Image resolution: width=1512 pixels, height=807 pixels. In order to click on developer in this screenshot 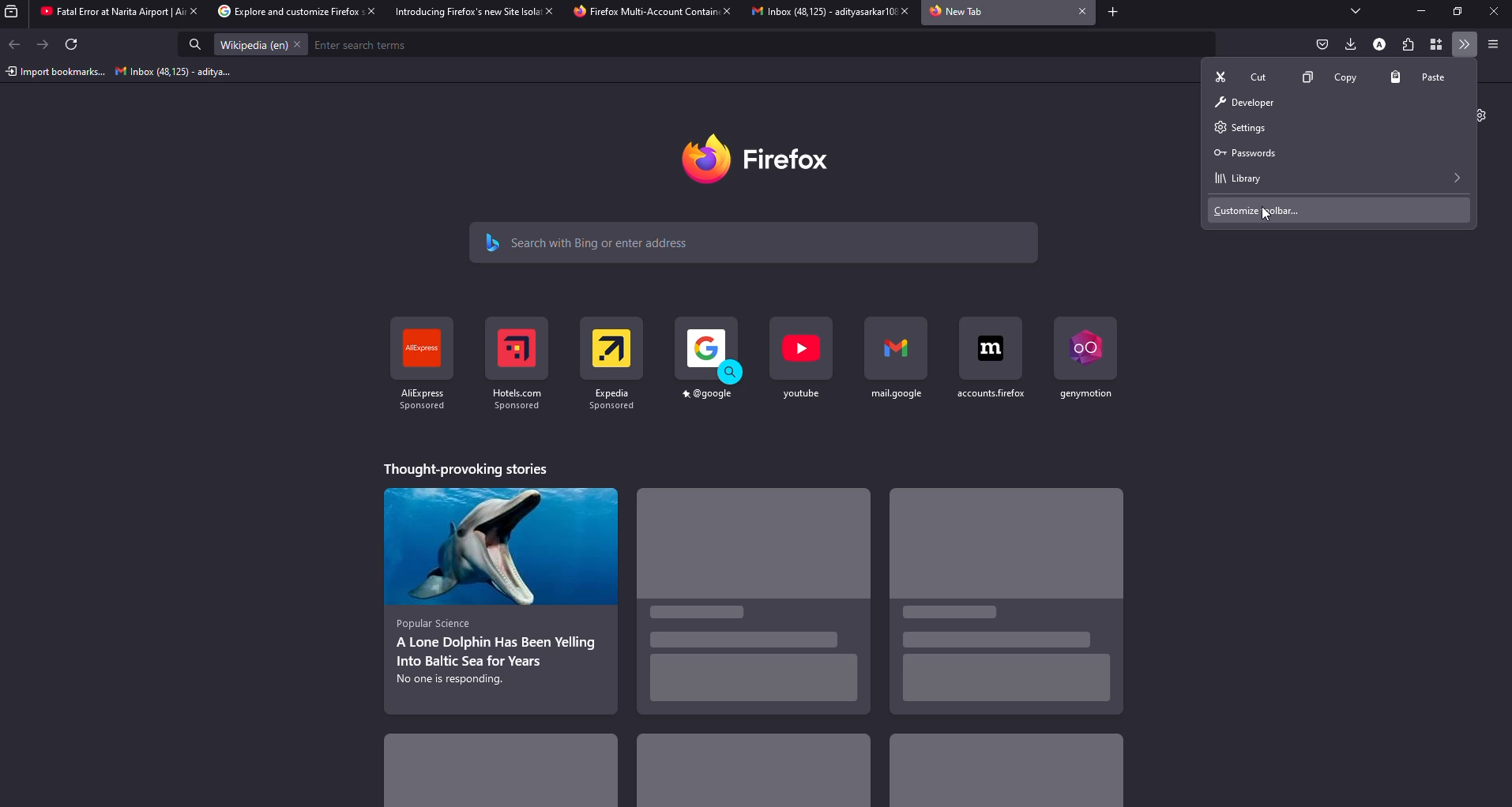, I will do `click(1242, 101)`.